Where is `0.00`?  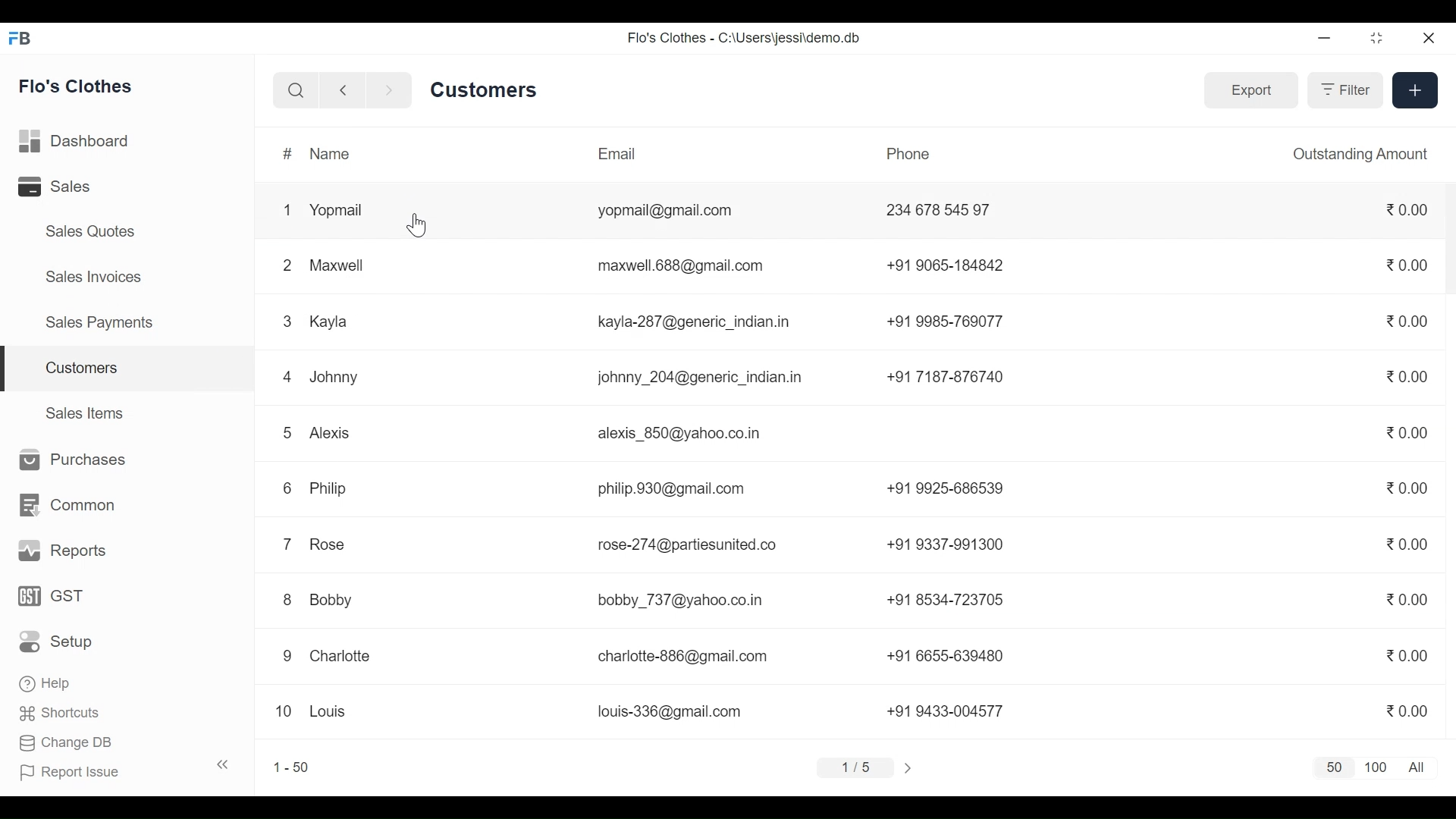
0.00 is located at coordinates (1408, 654).